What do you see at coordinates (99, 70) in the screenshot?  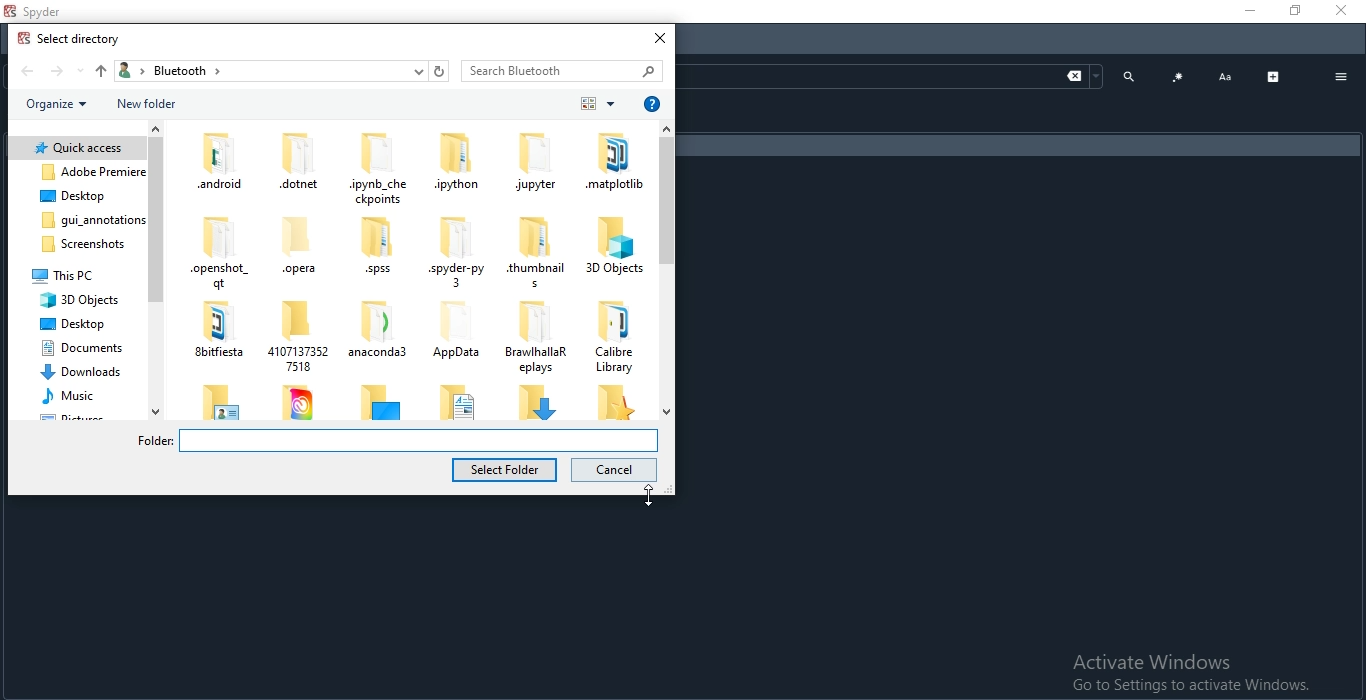 I see `up folder` at bounding box center [99, 70].